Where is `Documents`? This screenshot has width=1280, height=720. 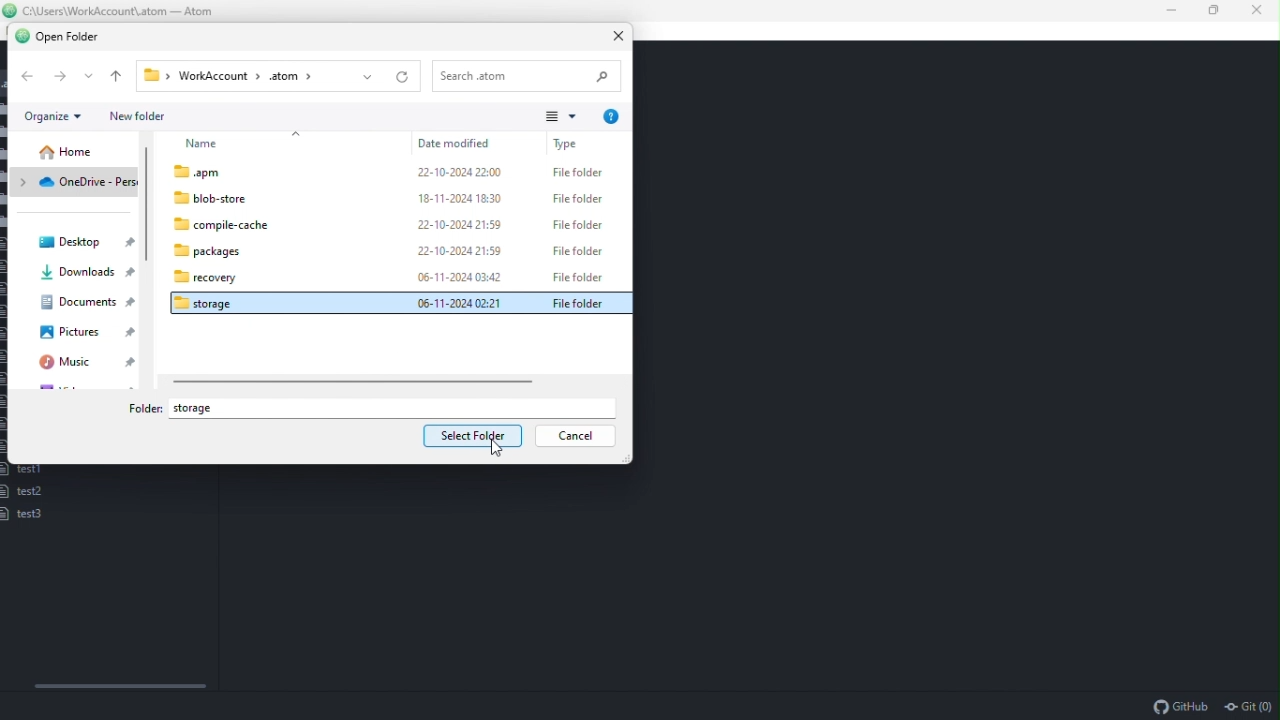
Documents is located at coordinates (87, 302).